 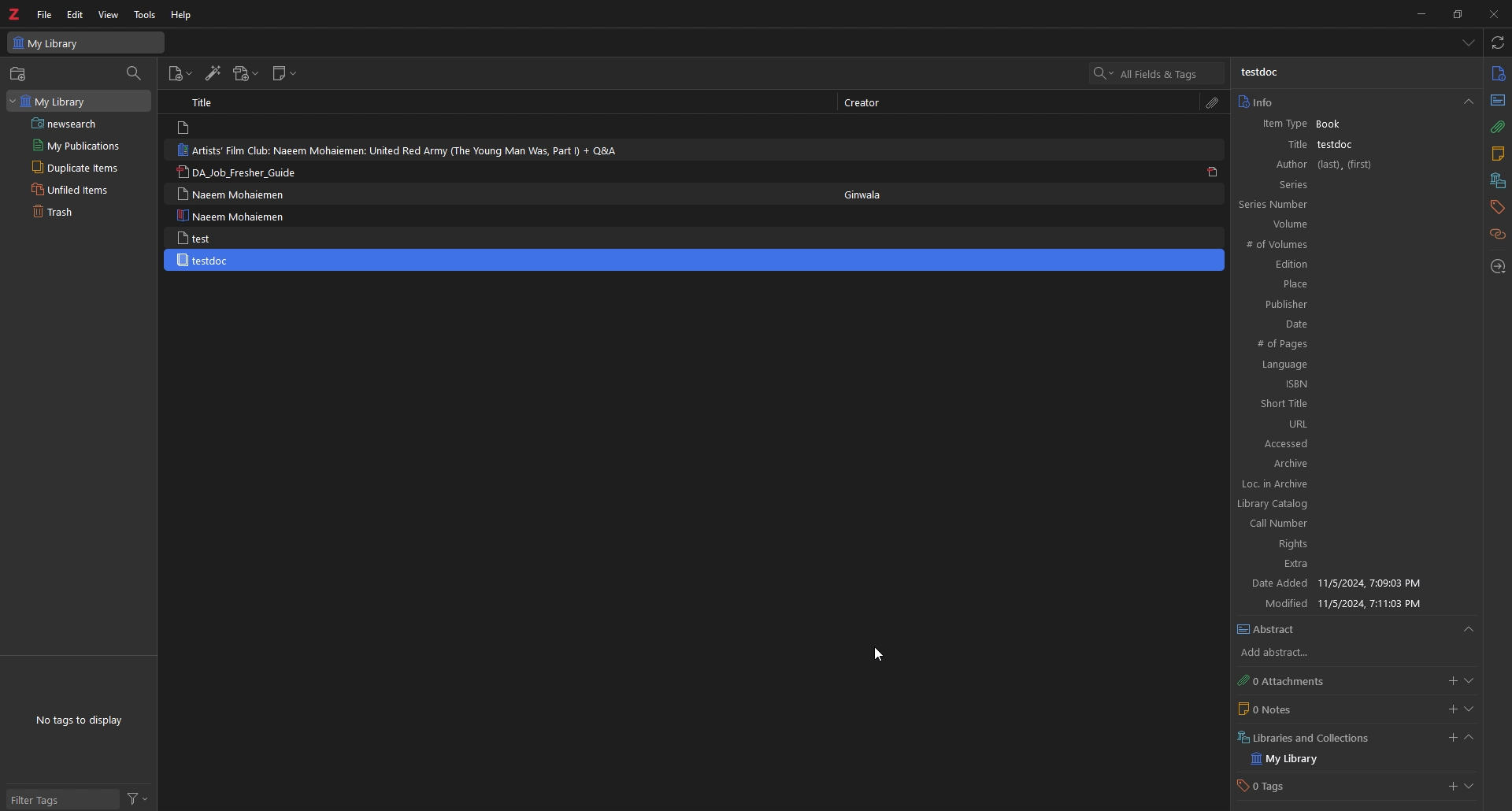 What do you see at coordinates (16, 14) in the screenshot?
I see `logo` at bounding box center [16, 14].